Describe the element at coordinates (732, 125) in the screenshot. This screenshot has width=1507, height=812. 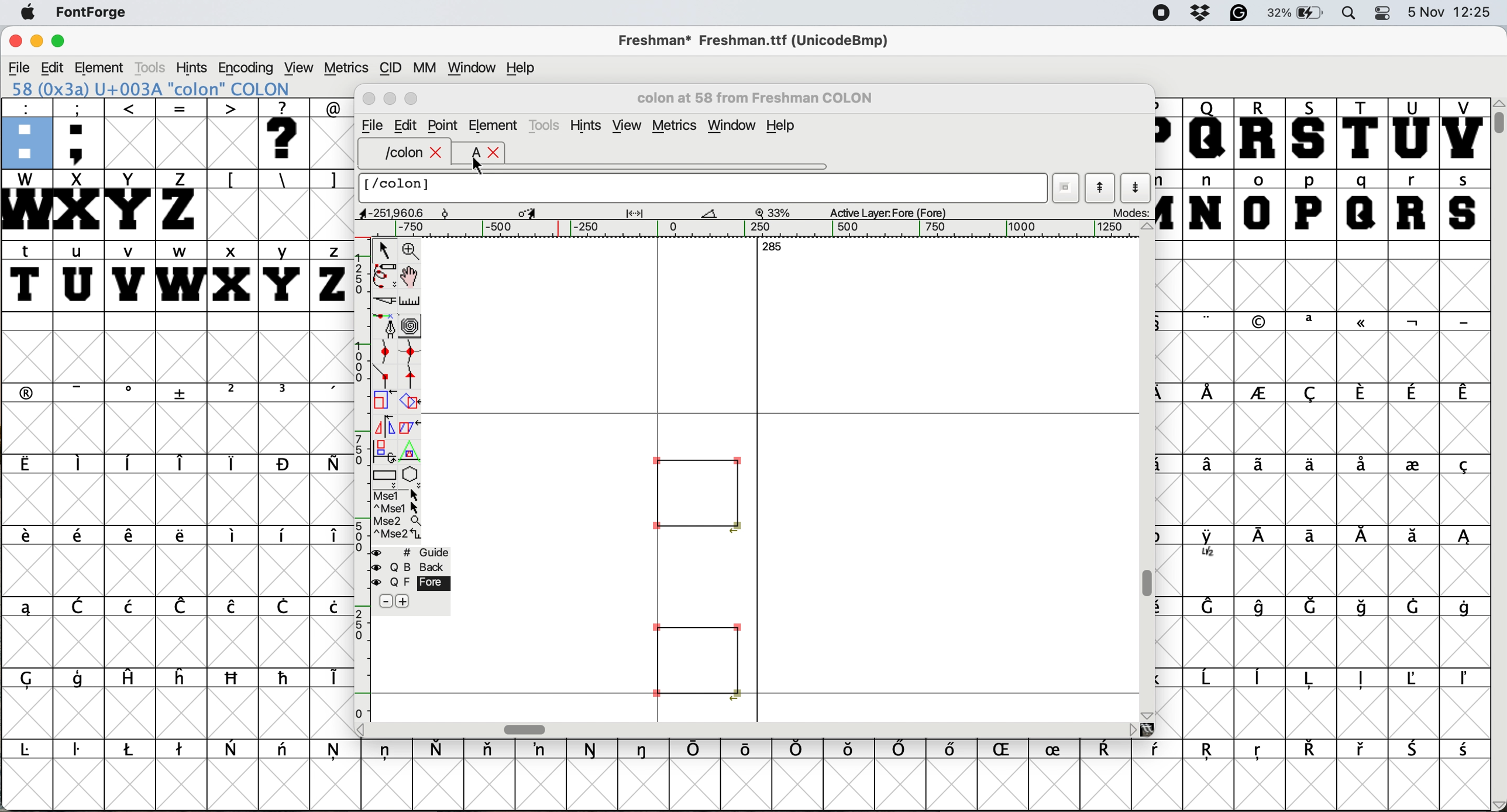
I see `window` at that location.